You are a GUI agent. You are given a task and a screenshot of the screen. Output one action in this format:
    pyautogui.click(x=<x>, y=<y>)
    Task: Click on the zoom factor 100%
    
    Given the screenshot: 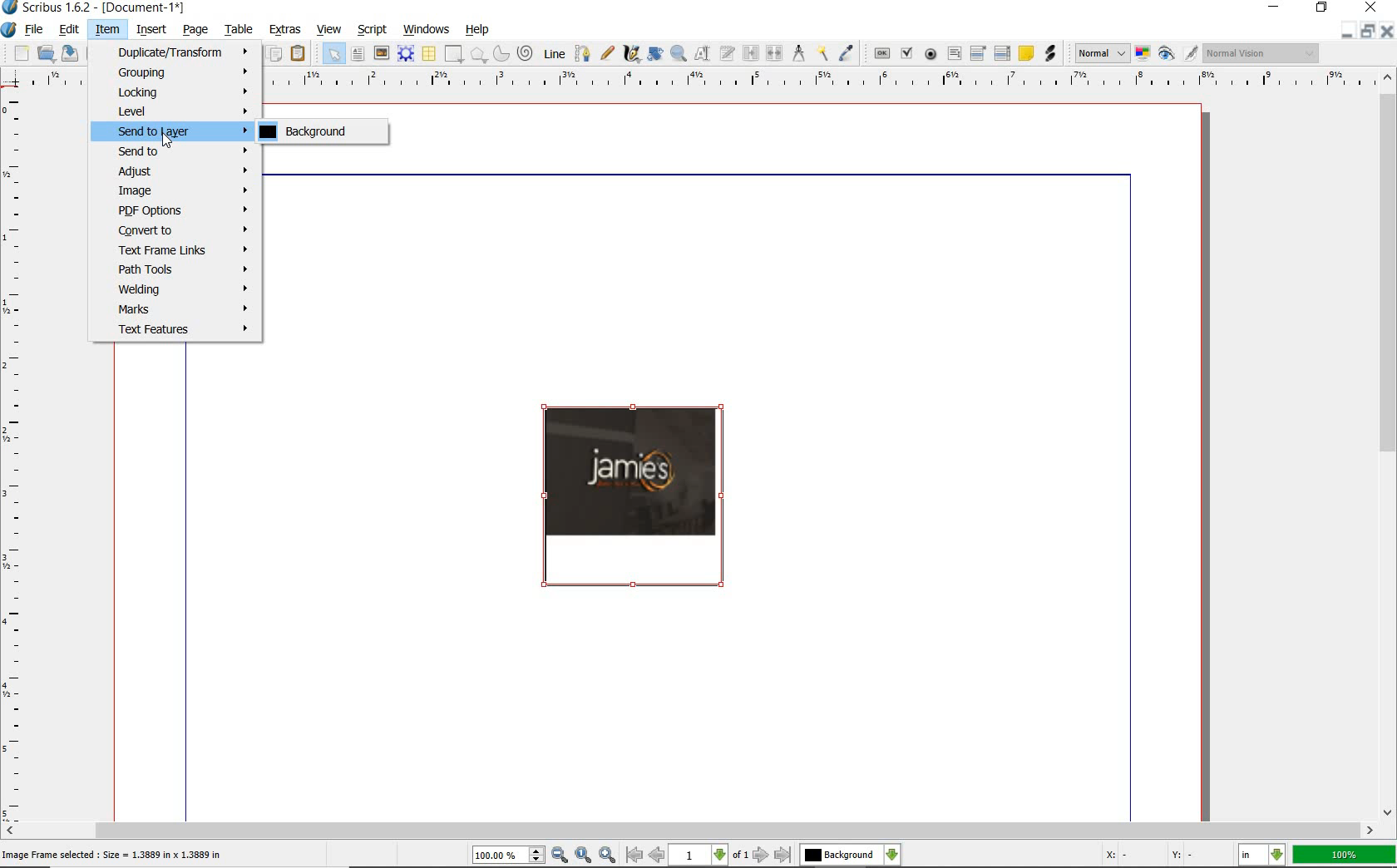 What is the action you would take?
    pyautogui.click(x=1345, y=854)
    